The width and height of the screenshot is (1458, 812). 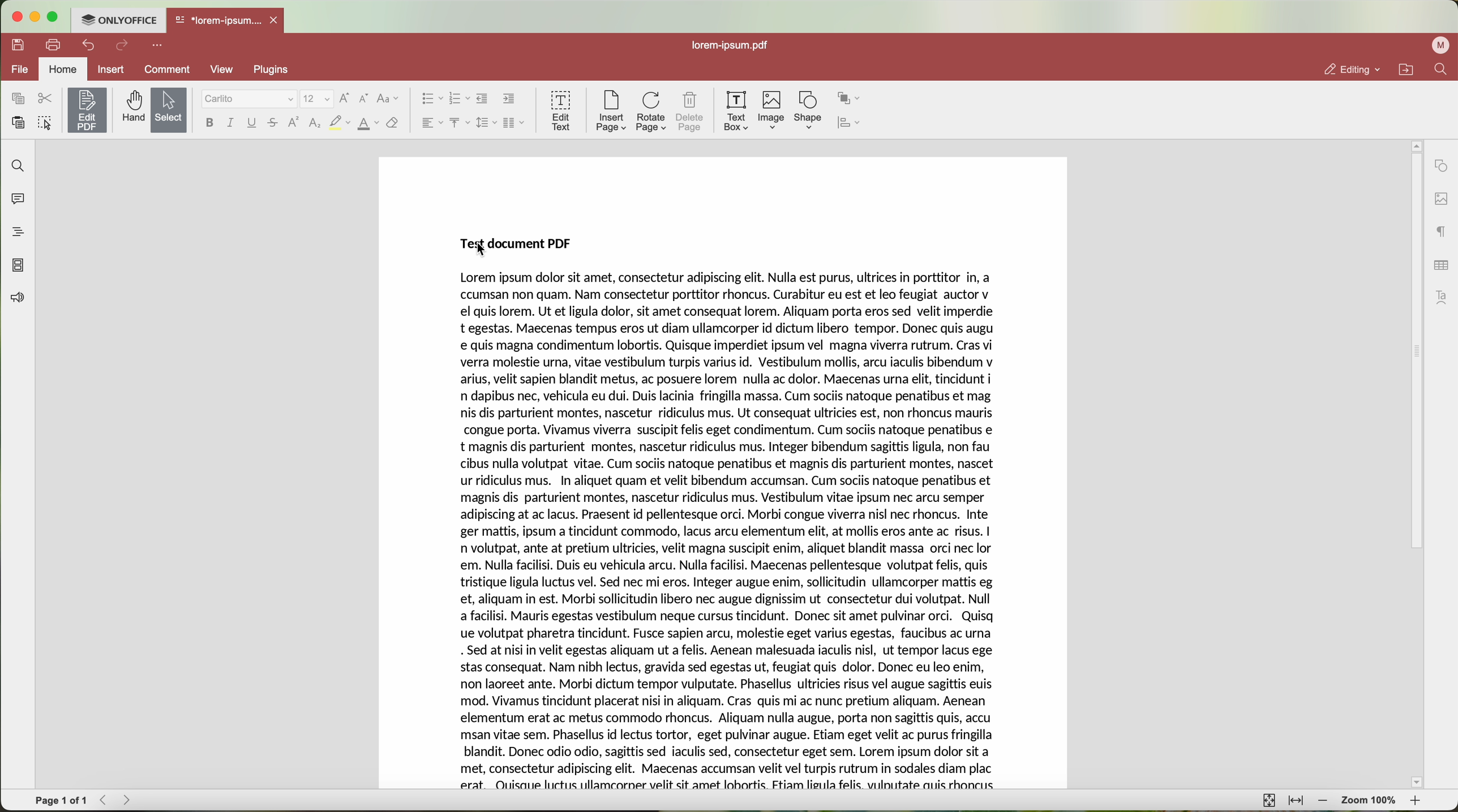 What do you see at coordinates (19, 166) in the screenshot?
I see `find` at bounding box center [19, 166].